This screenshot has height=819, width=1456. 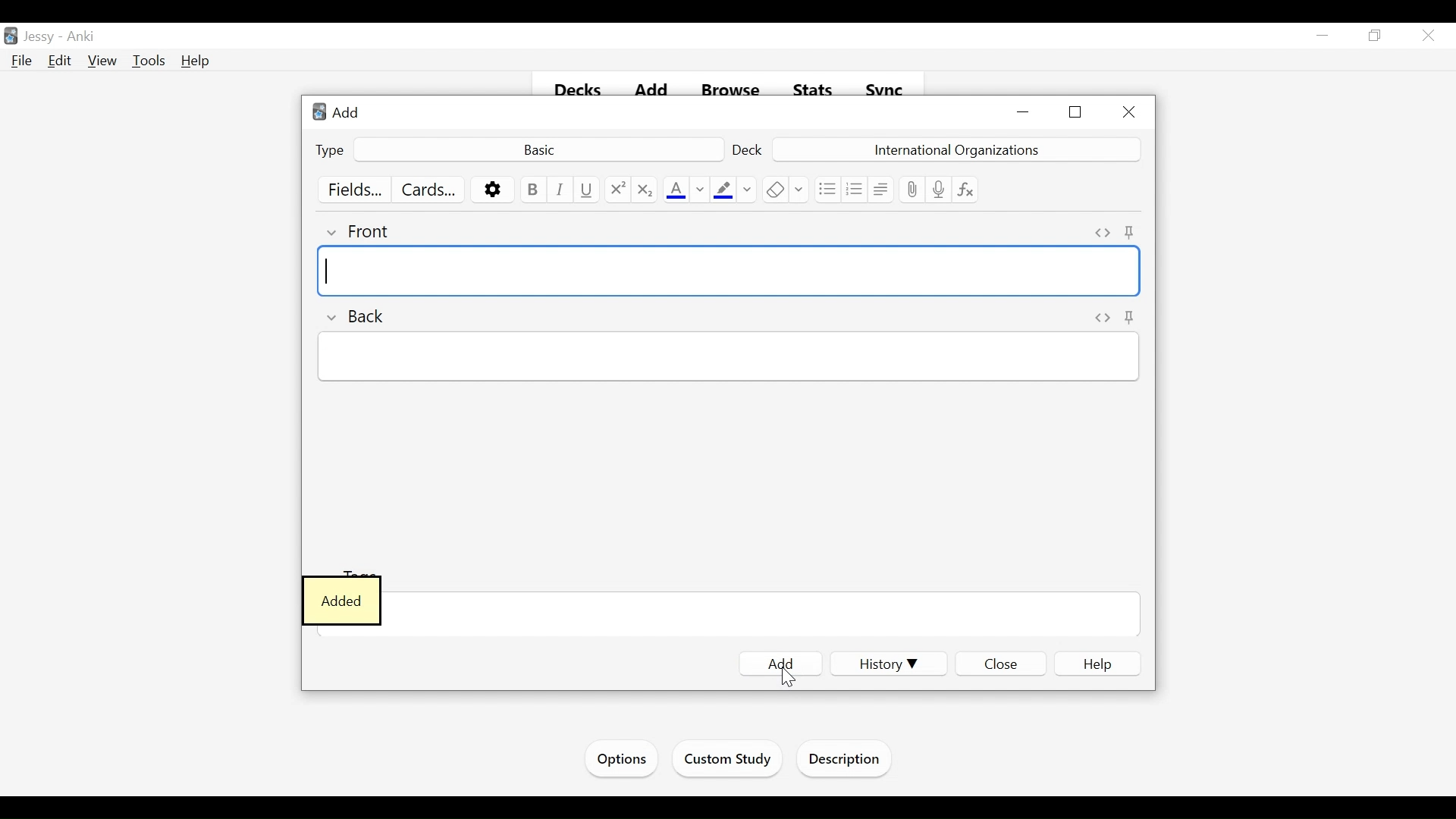 What do you see at coordinates (577, 90) in the screenshot?
I see `Decks` at bounding box center [577, 90].